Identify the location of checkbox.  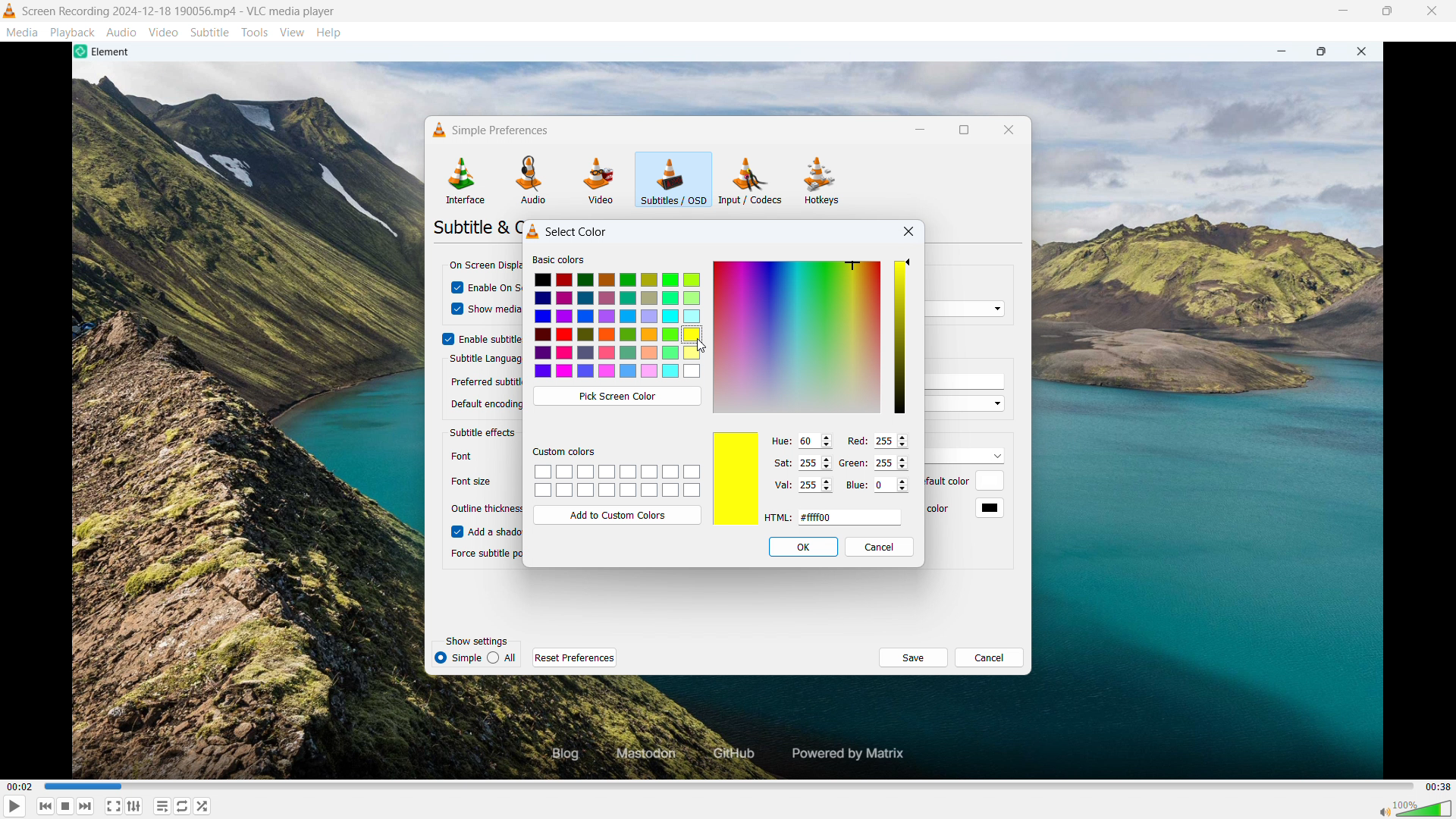
(452, 531).